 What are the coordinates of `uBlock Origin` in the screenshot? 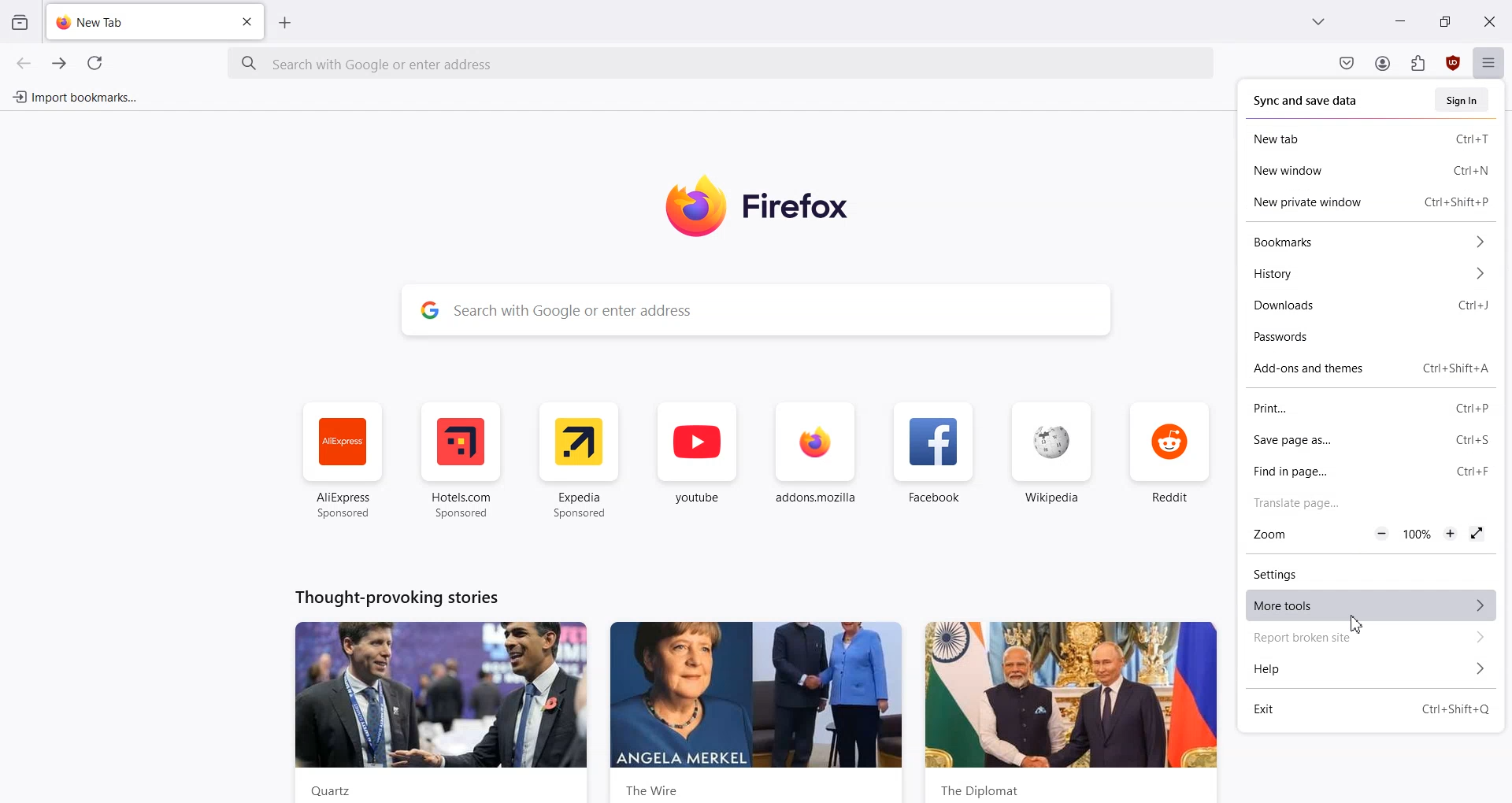 It's located at (1455, 63).